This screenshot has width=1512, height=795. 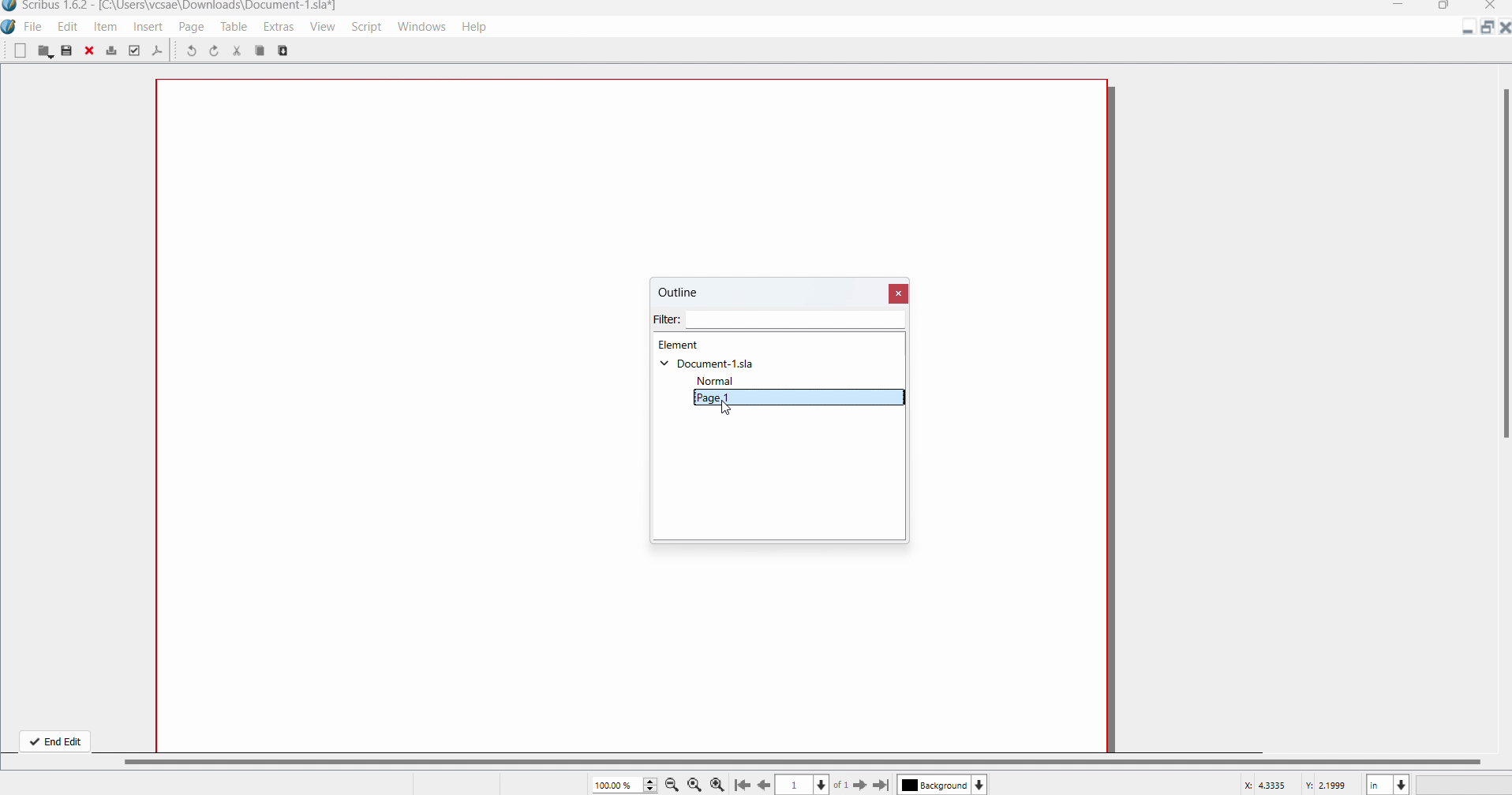 What do you see at coordinates (795, 785) in the screenshot?
I see `1` at bounding box center [795, 785].